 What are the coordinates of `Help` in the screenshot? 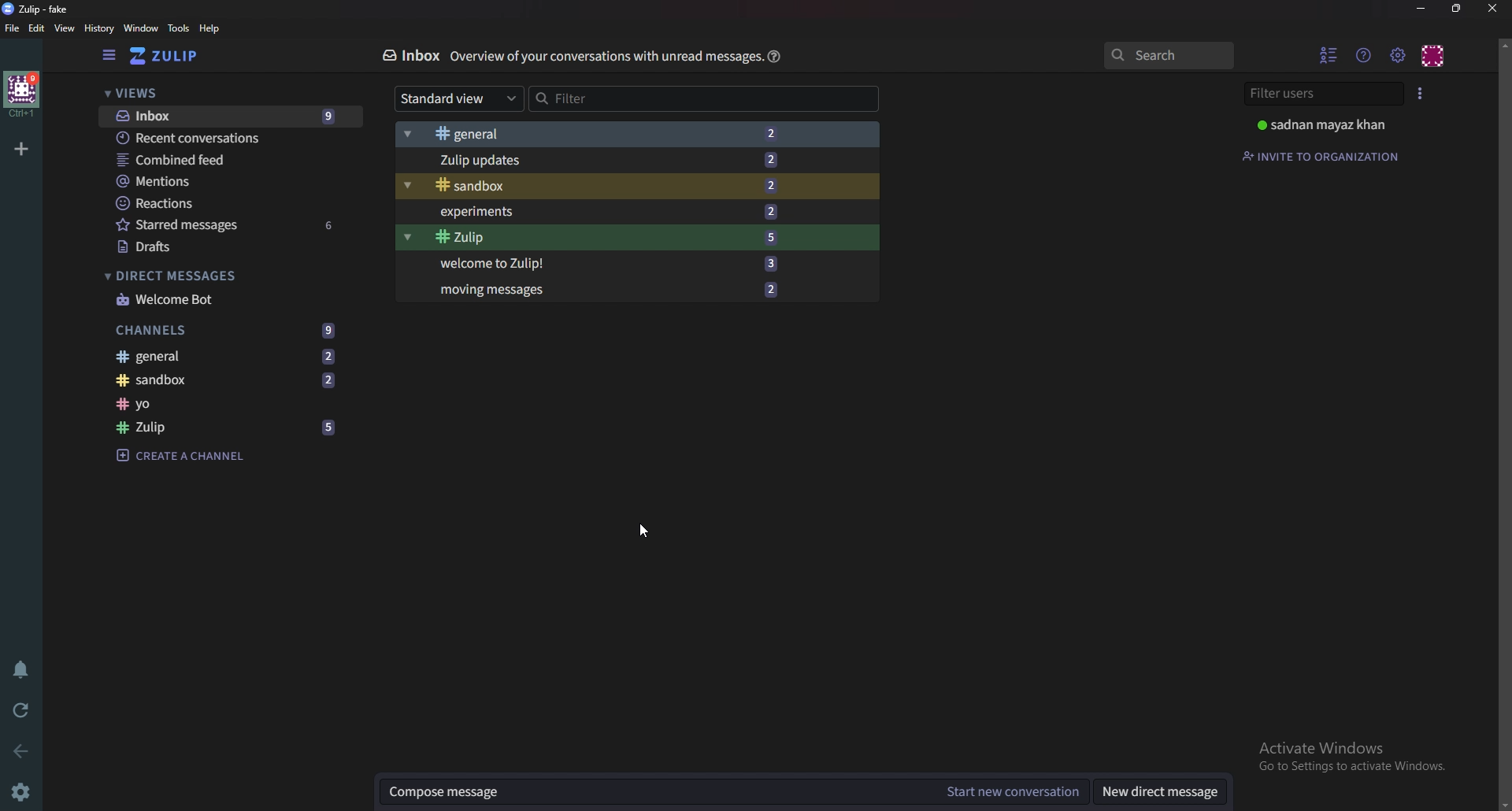 It's located at (773, 56).